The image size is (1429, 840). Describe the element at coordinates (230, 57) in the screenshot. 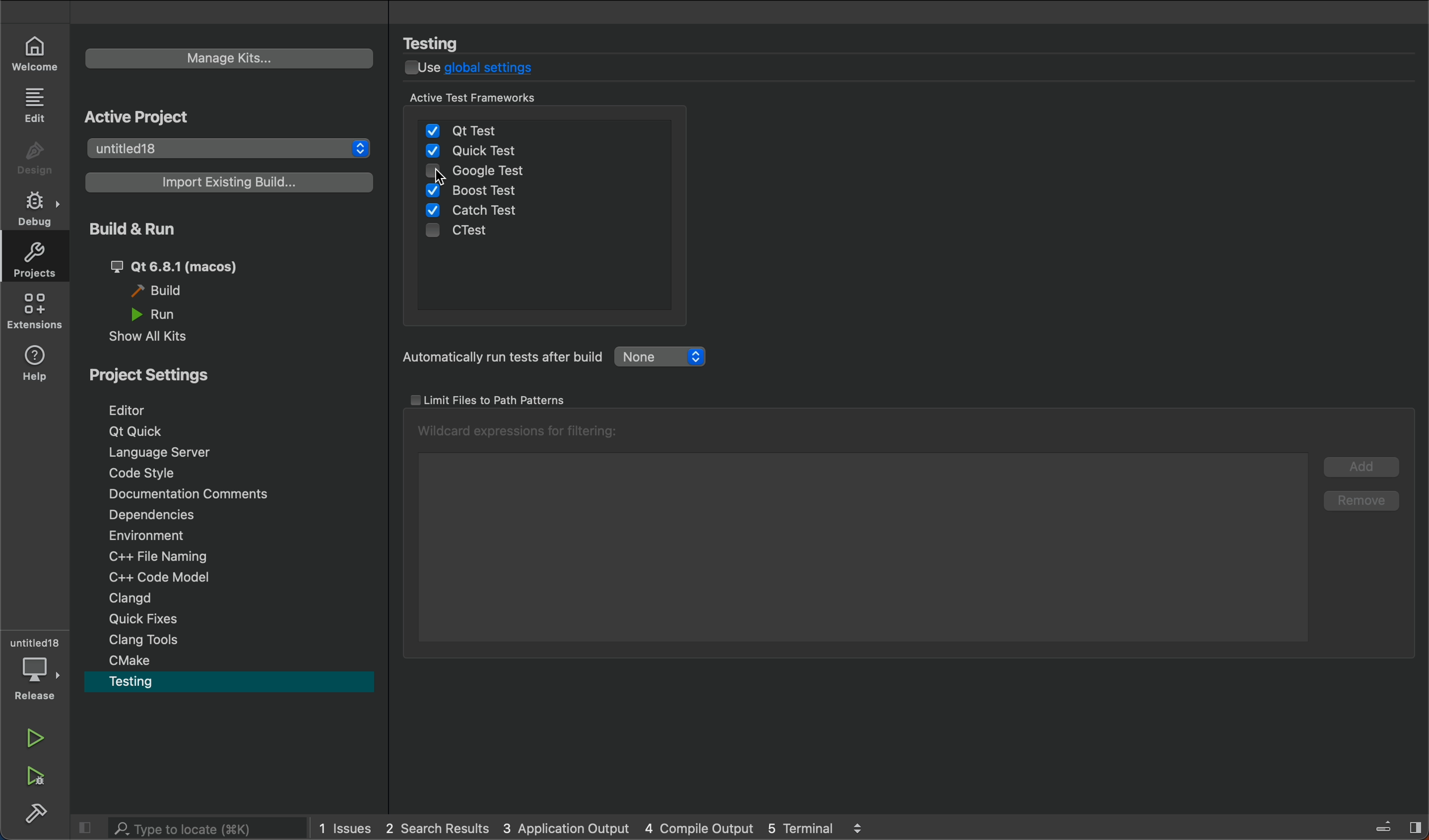

I see `manage kits` at that location.